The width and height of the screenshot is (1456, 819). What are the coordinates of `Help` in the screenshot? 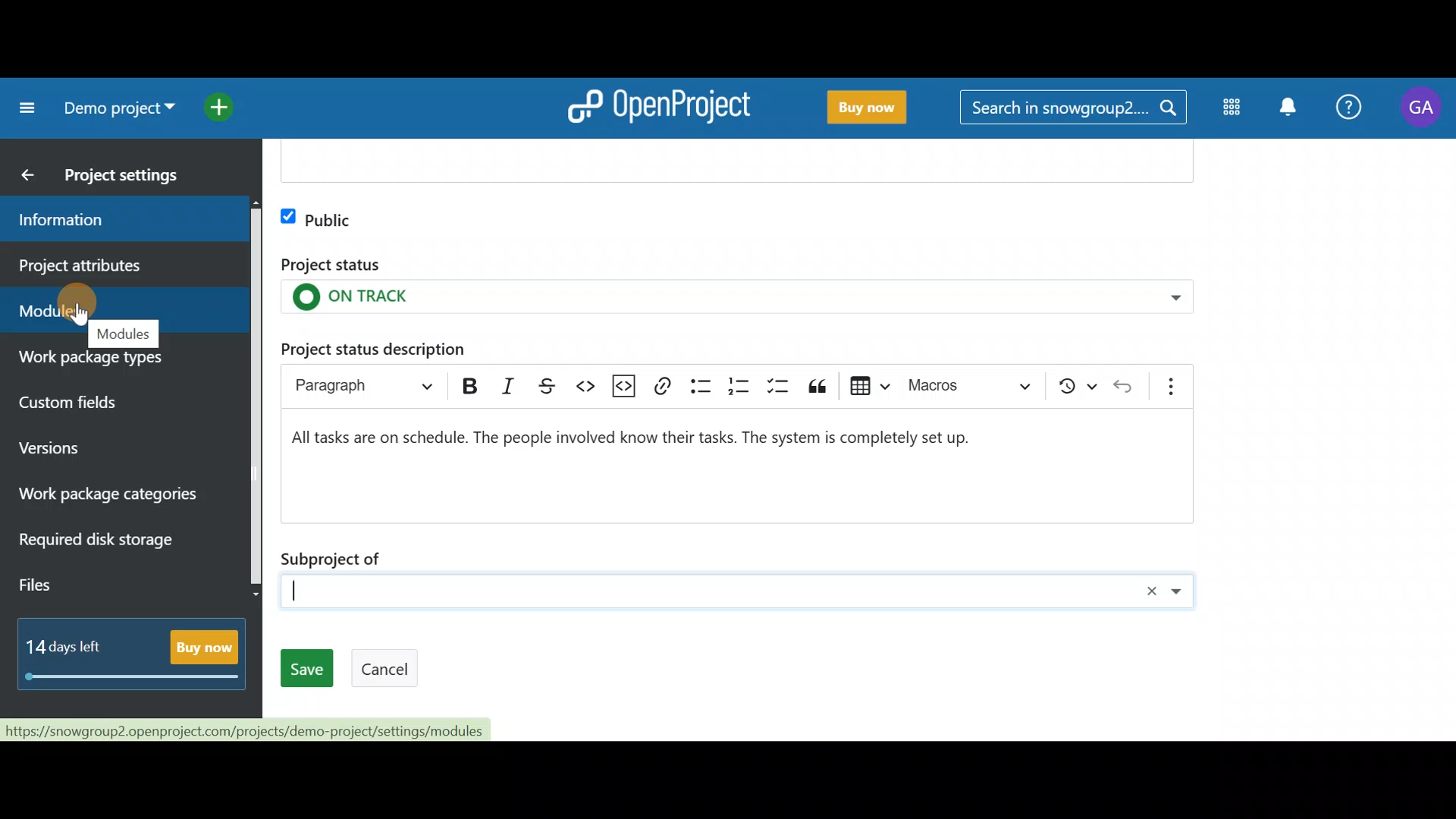 It's located at (1347, 111).